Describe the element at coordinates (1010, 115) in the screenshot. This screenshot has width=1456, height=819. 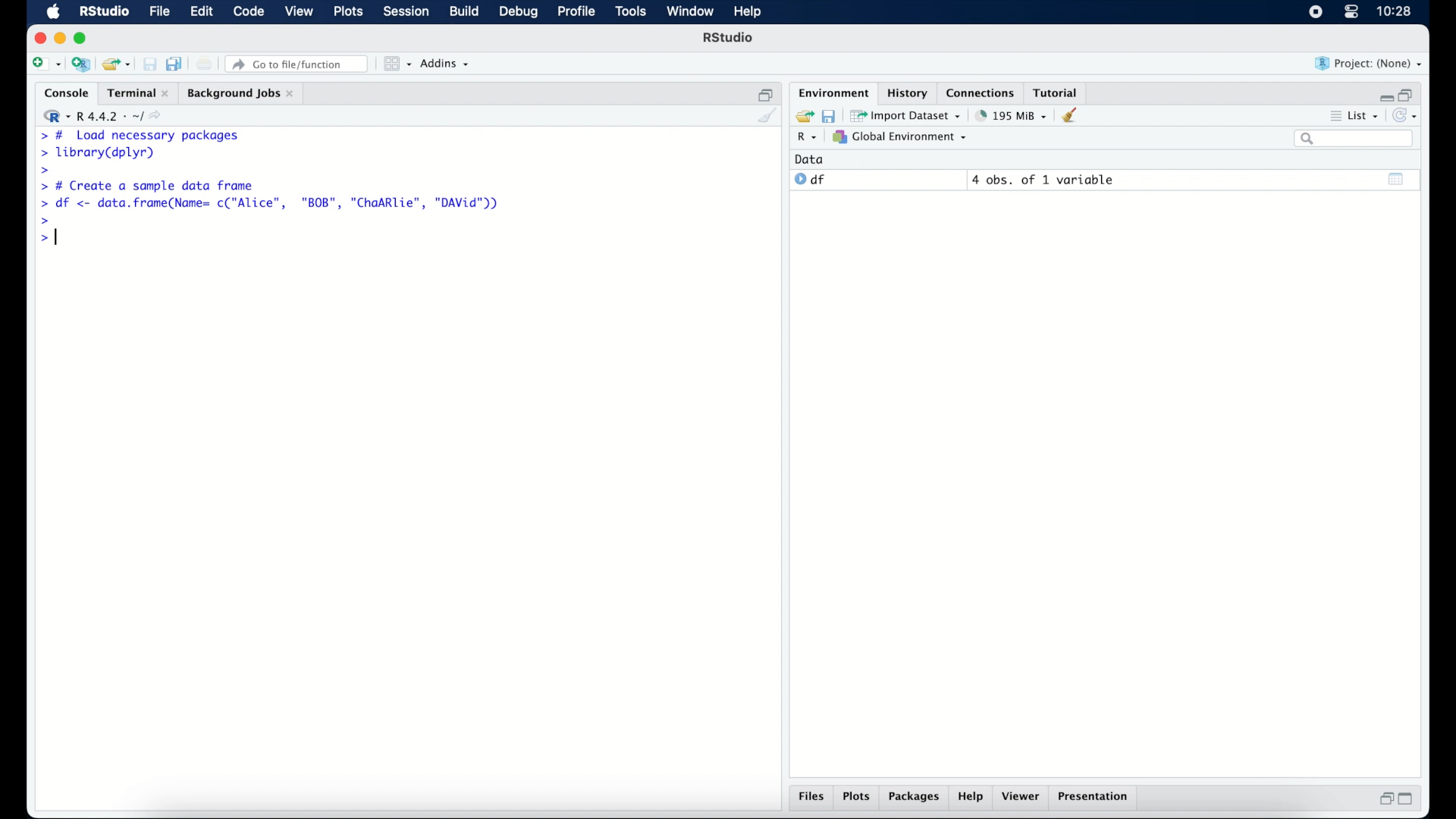
I see `195 MB` at that location.